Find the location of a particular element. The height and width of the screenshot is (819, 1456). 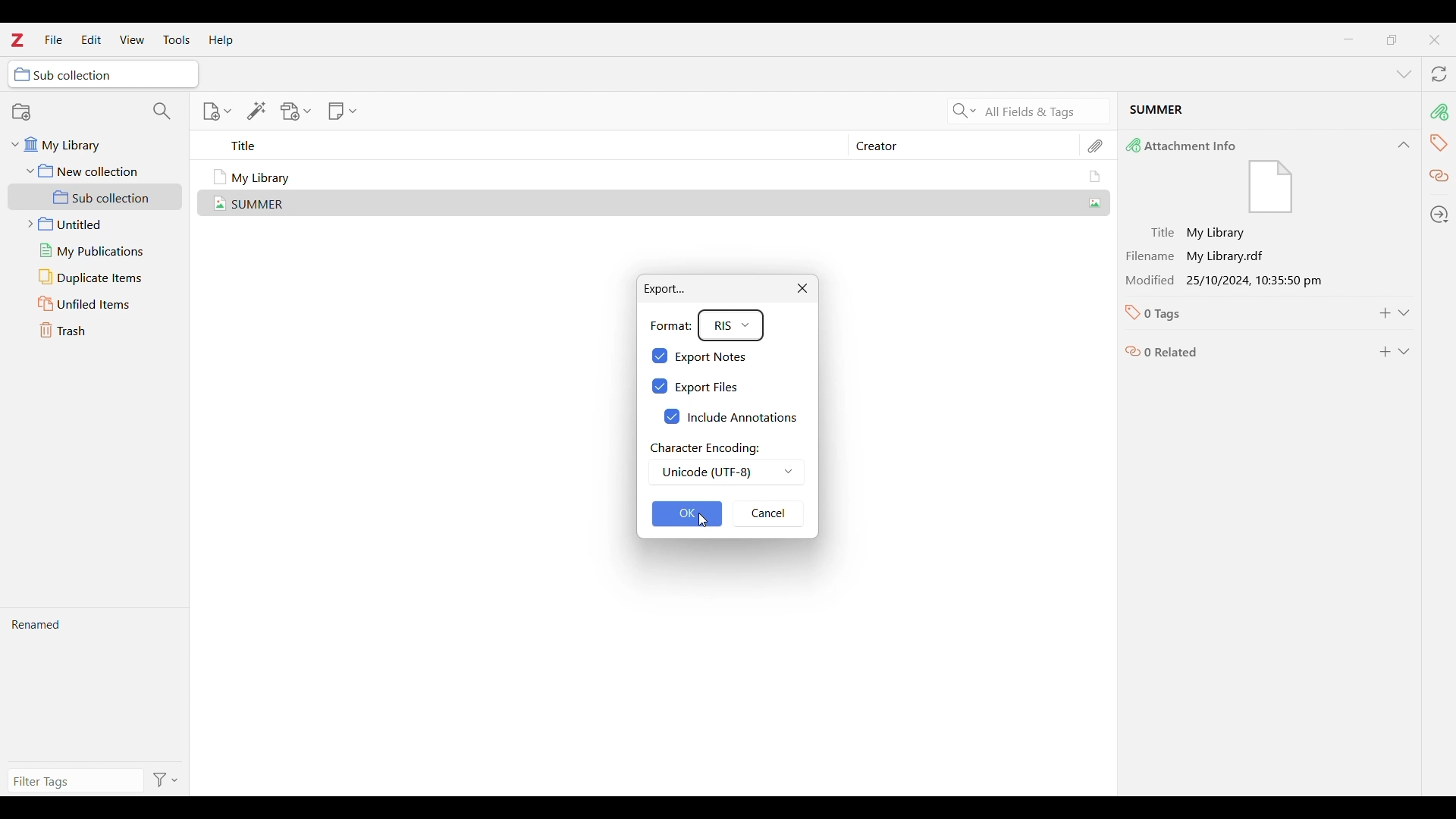

Trash is located at coordinates (97, 331).